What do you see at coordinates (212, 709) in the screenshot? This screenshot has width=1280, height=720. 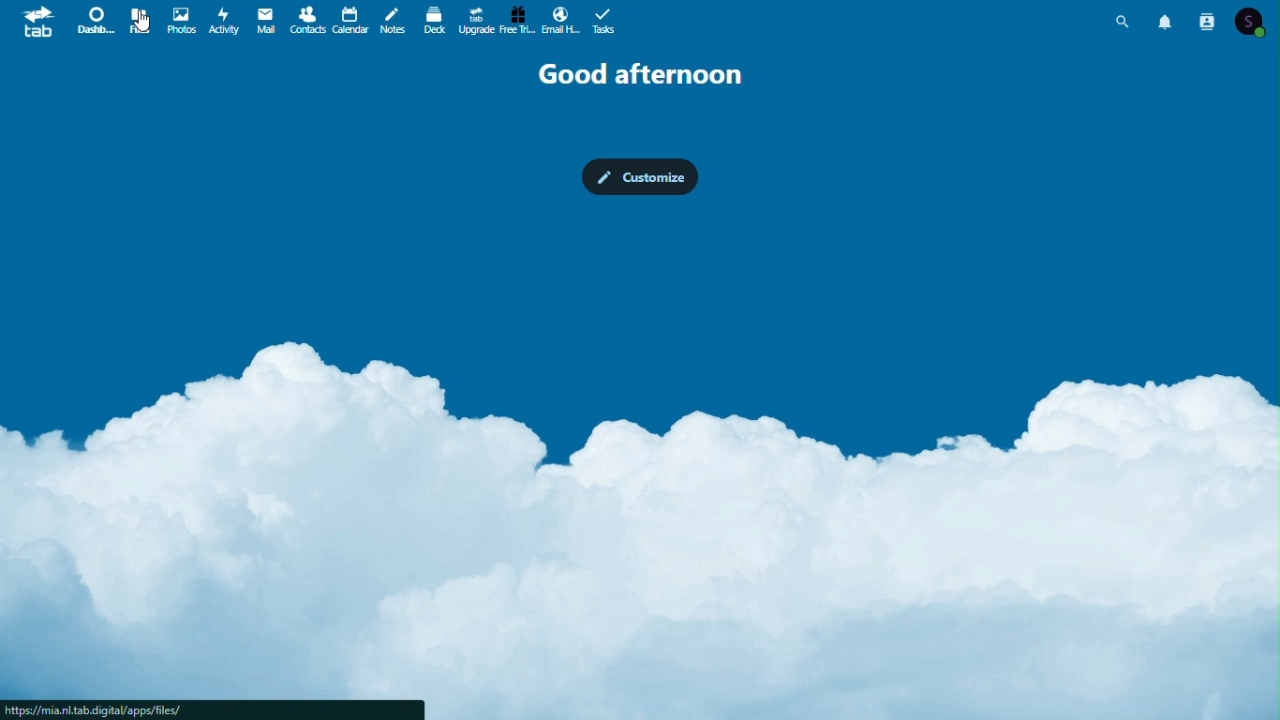 I see `URL` at bounding box center [212, 709].